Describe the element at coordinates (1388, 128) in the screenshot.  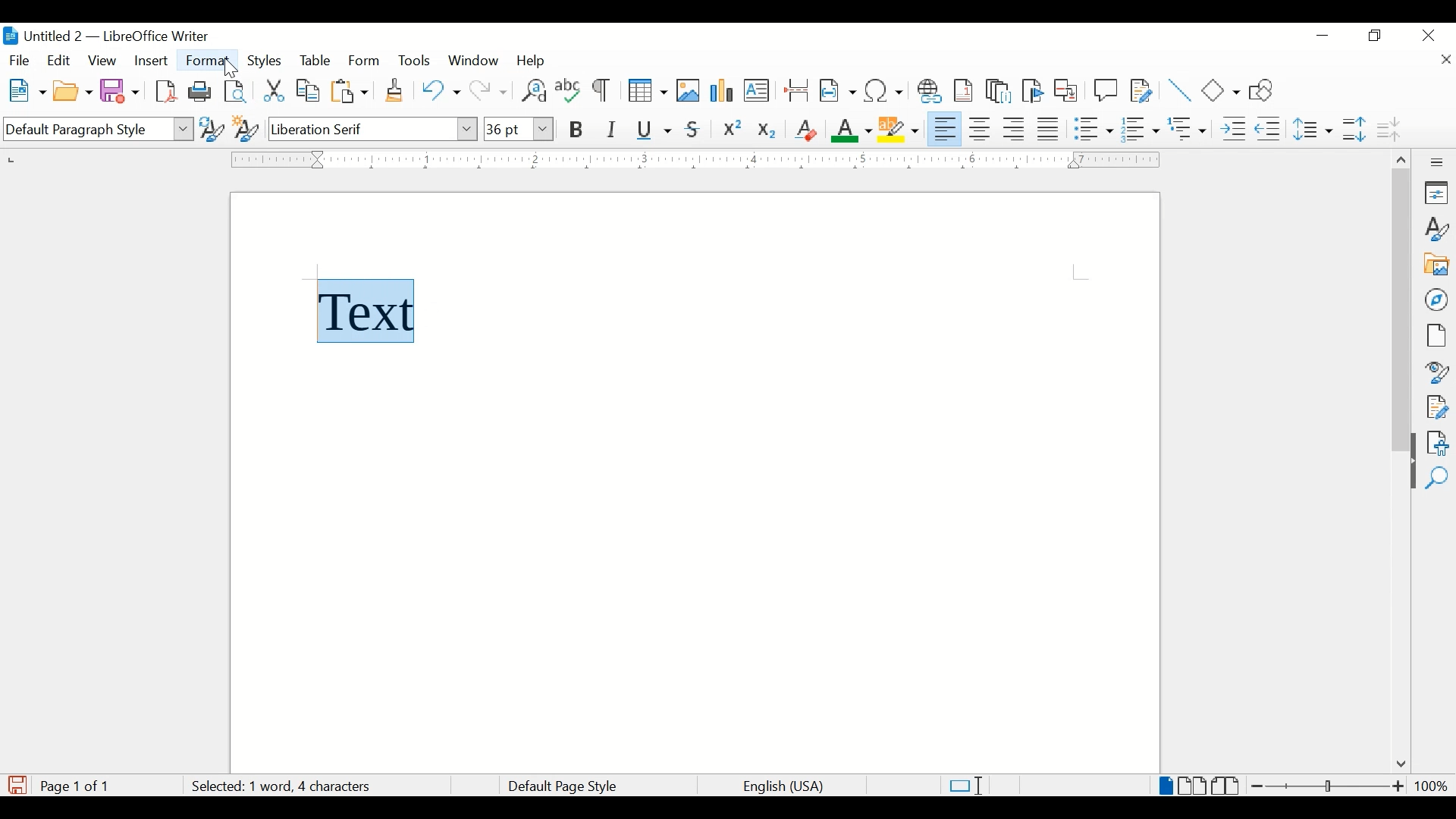
I see `decrease paragraph spacing` at that location.